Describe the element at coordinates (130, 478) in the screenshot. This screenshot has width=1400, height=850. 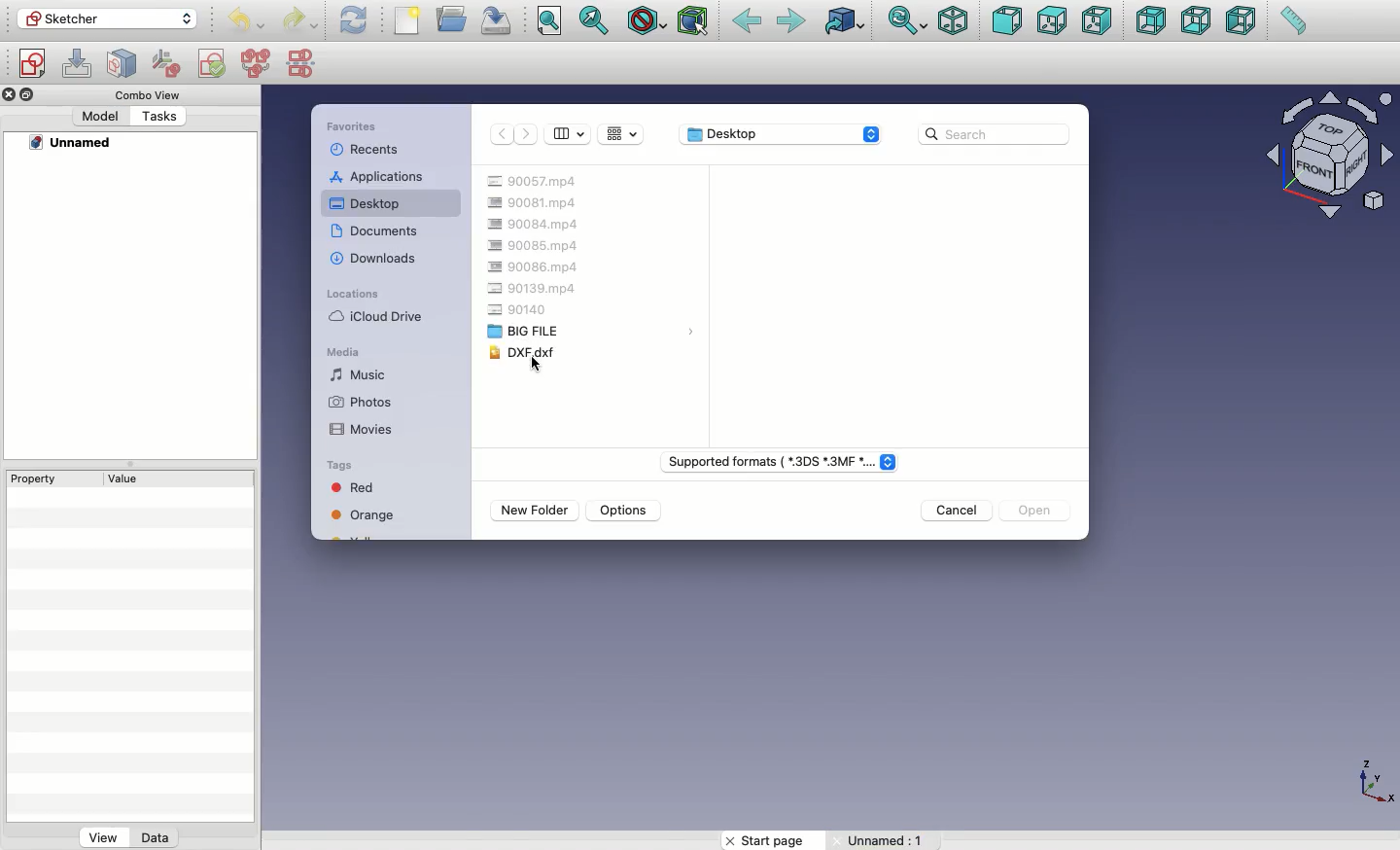
I see `Value` at that location.